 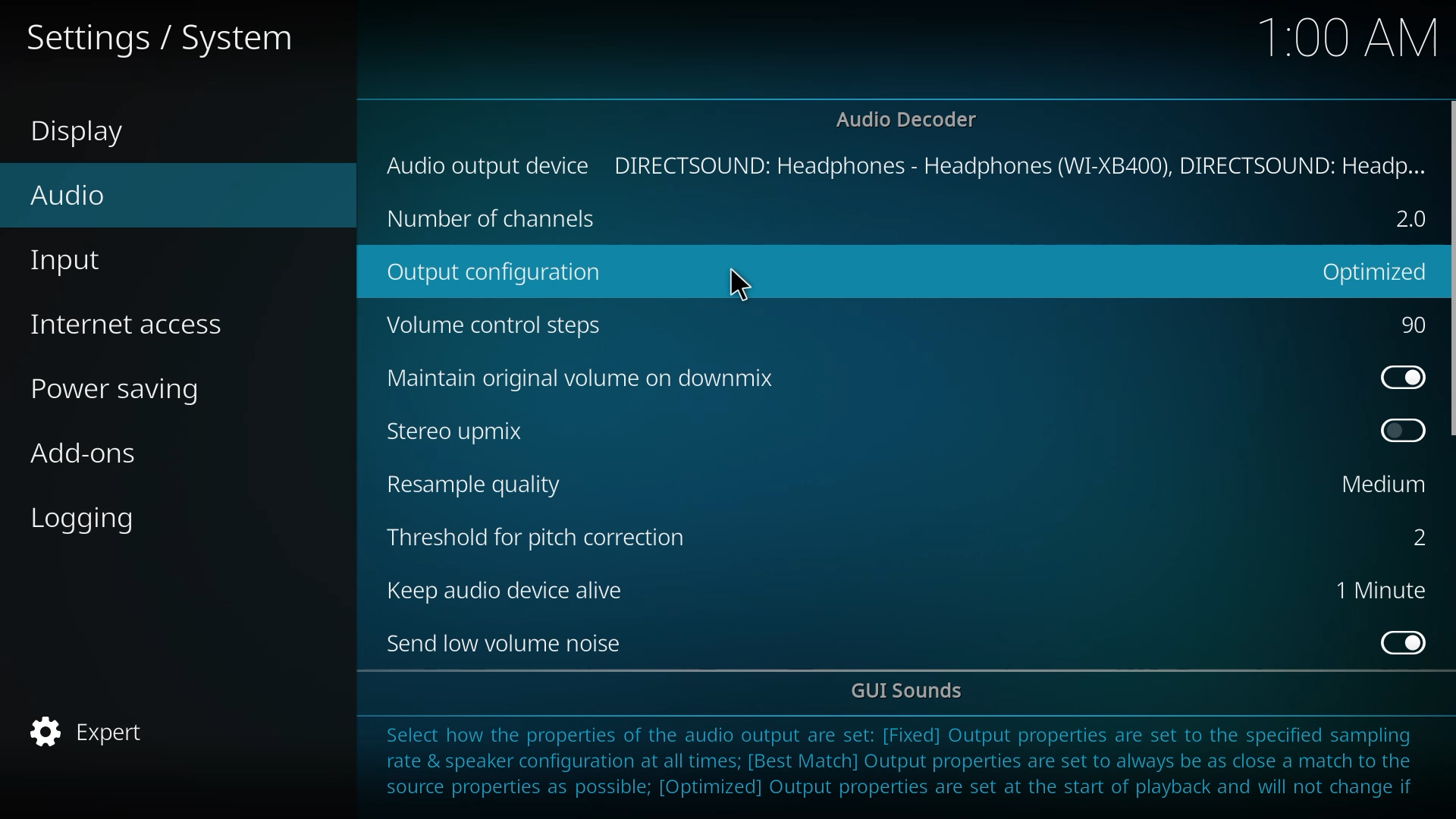 I want to click on resample quality, so click(x=475, y=486).